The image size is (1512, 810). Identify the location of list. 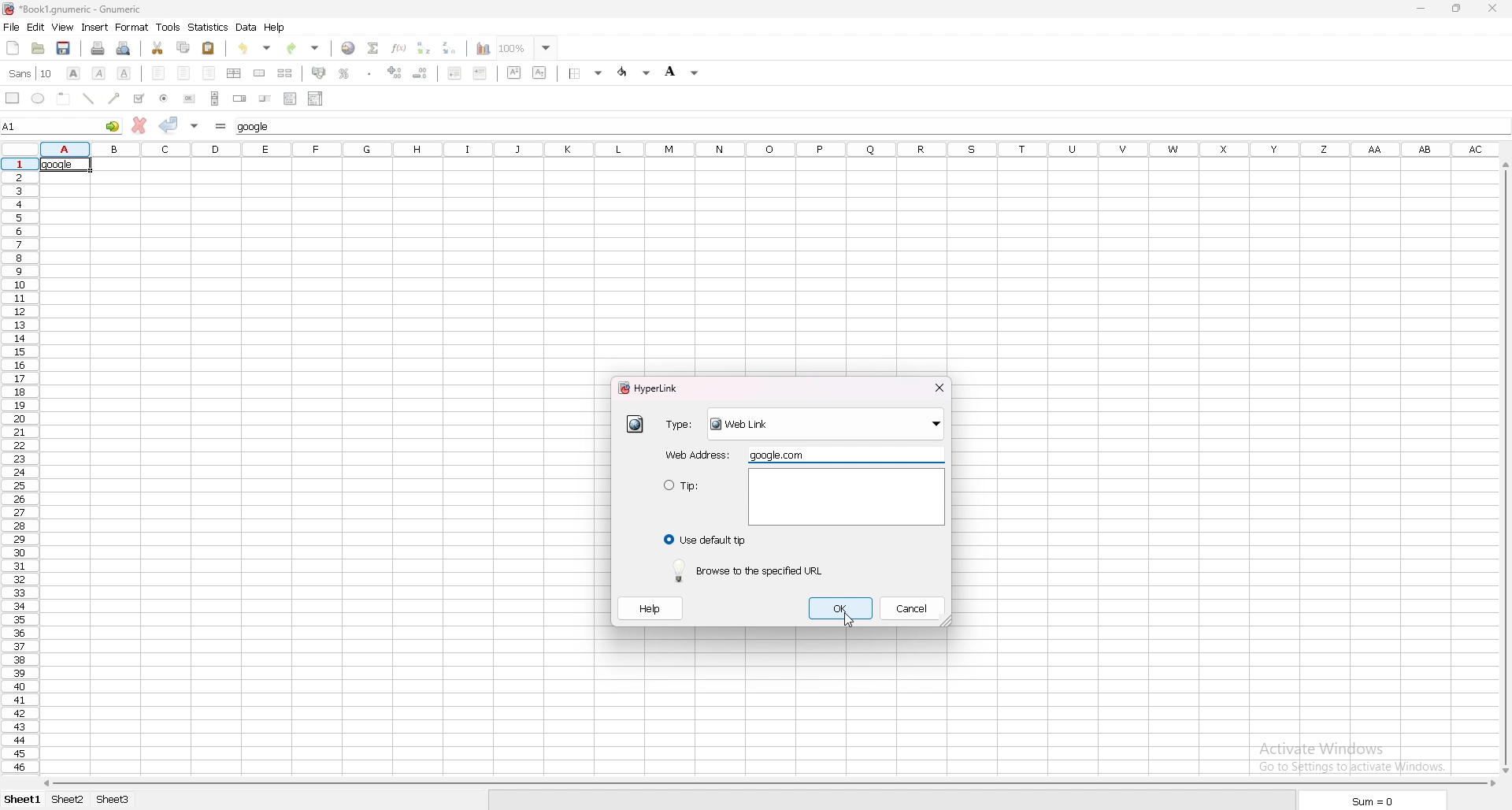
(290, 98).